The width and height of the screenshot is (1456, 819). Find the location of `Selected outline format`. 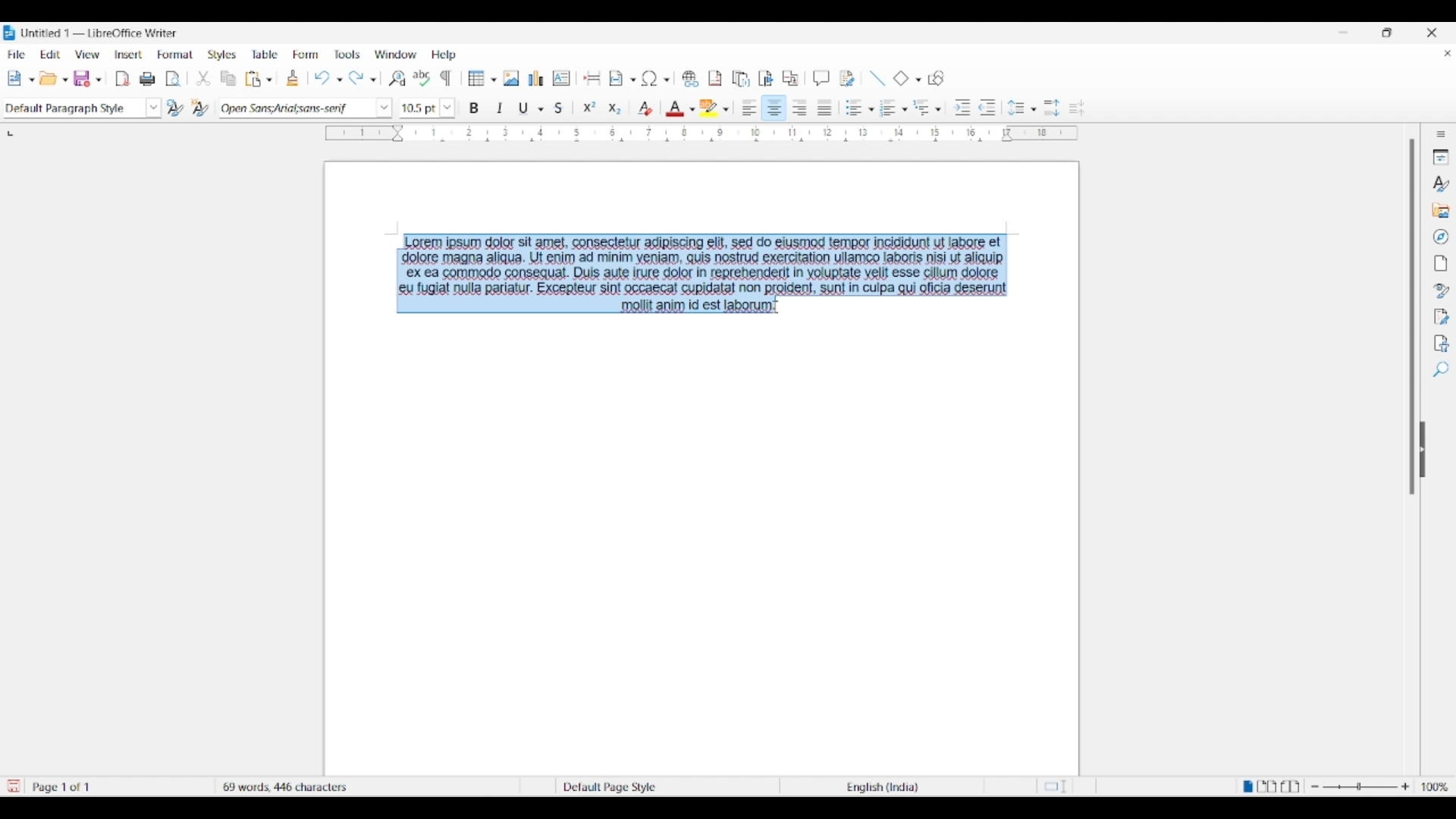

Selected outline format is located at coordinates (921, 107).